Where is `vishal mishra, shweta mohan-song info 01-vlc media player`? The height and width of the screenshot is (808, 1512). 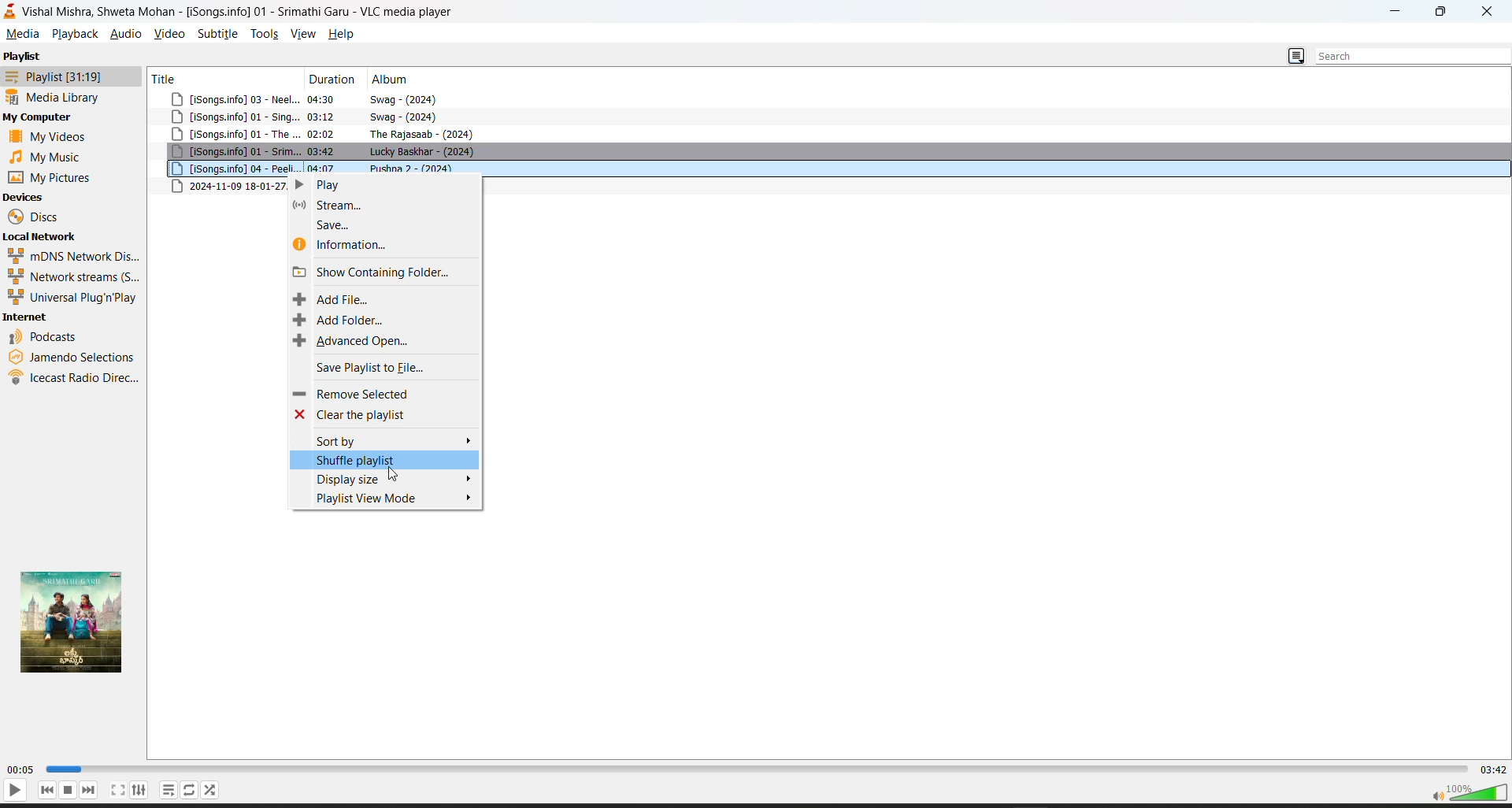
vishal mishra, shweta mohan-song info 01-vlc media player is located at coordinates (243, 9).